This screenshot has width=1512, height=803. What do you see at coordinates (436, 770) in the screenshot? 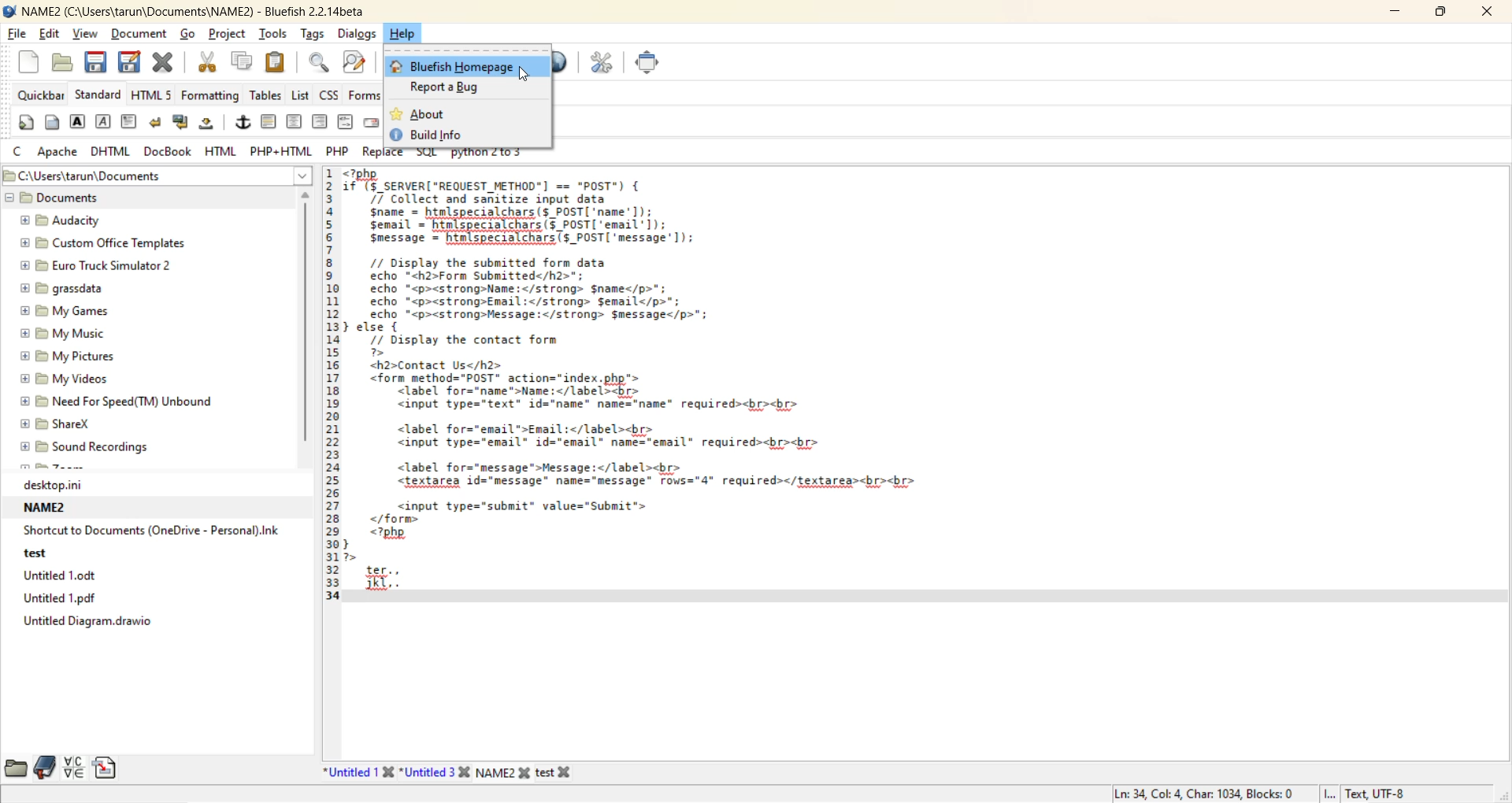
I see `Untitled 3` at bounding box center [436, 770].